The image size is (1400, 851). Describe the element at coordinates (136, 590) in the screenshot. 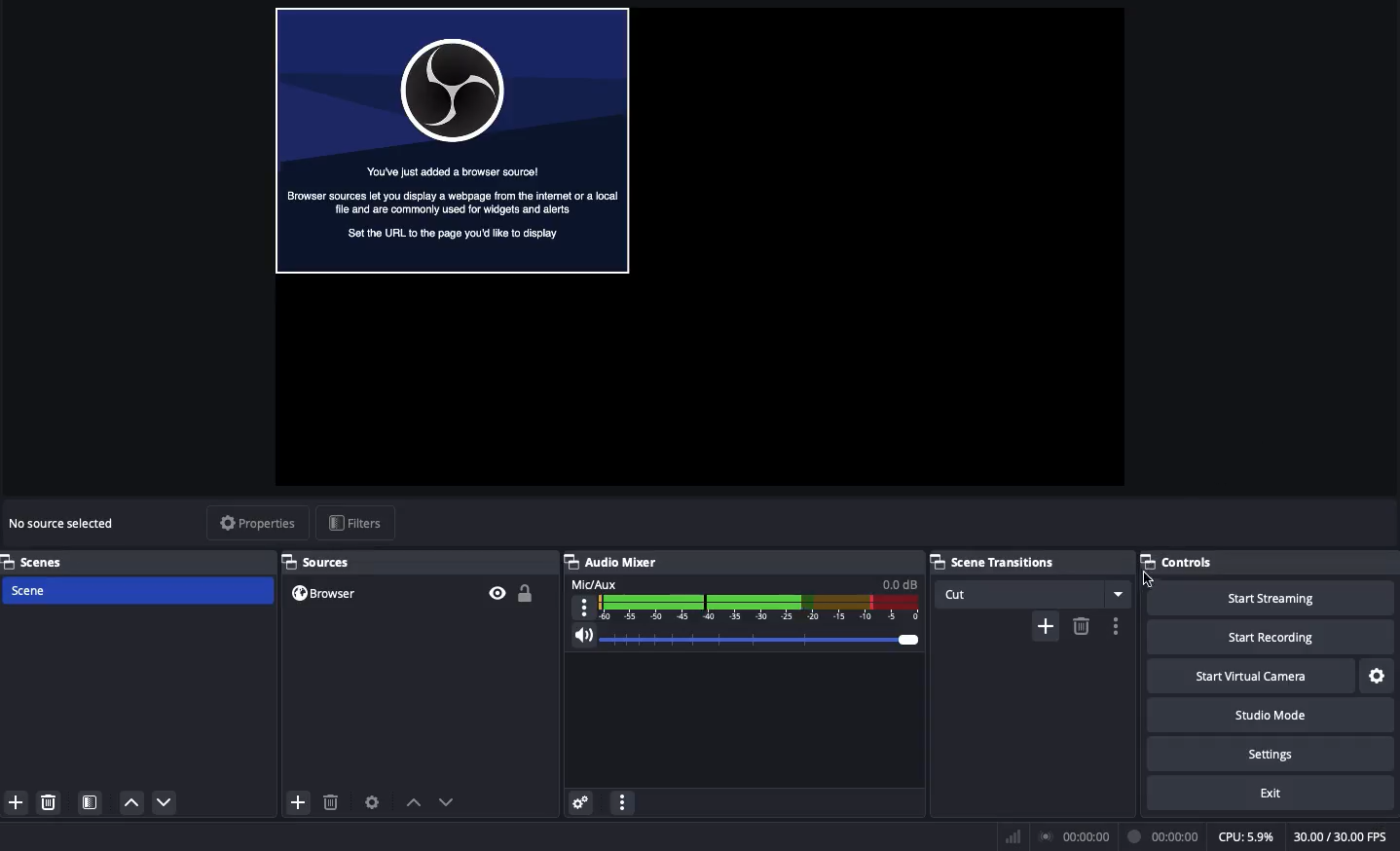

I see `Scene` at that location.